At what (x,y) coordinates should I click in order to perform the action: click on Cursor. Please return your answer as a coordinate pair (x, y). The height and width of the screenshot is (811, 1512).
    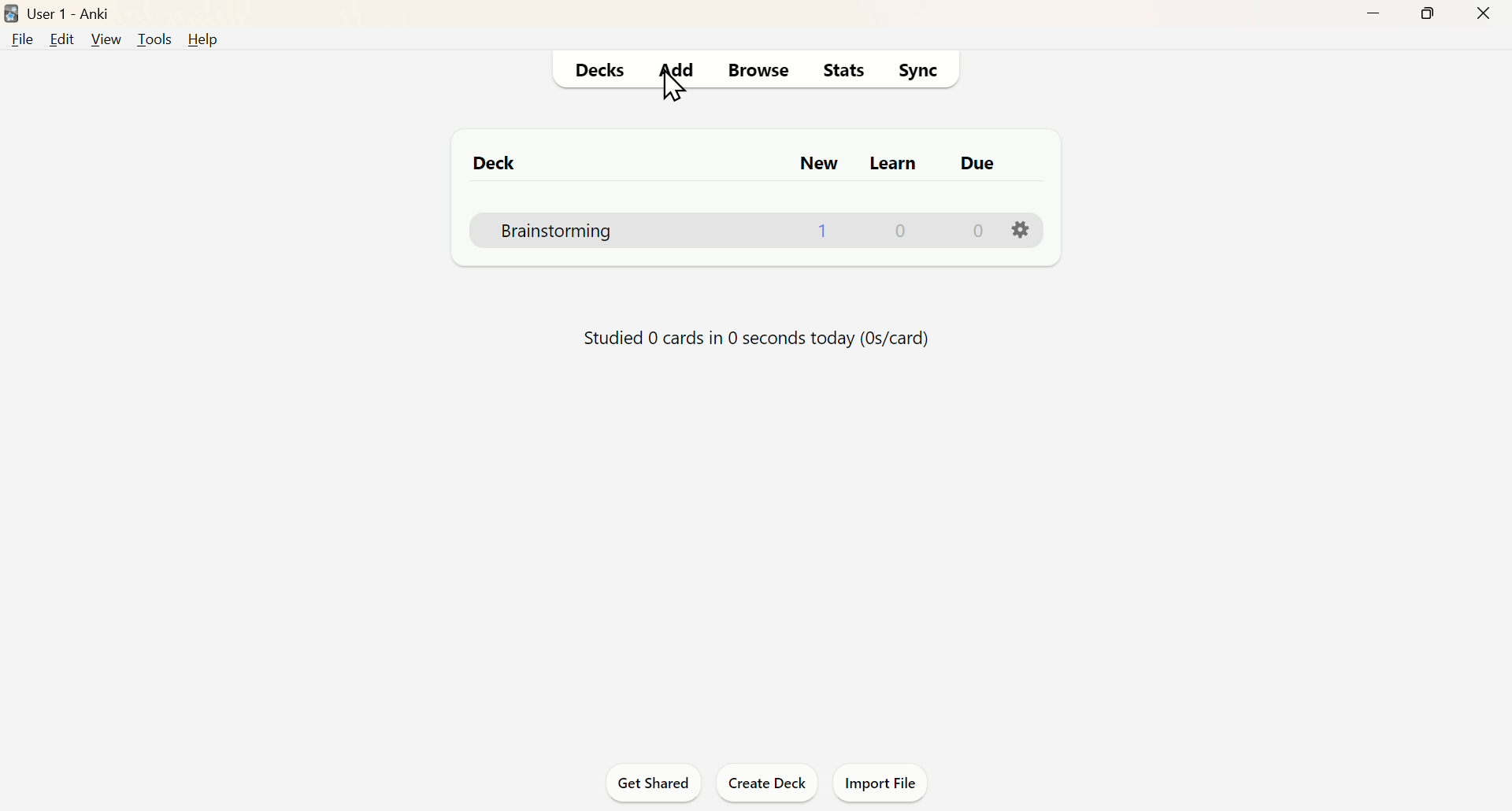
    Looking at the image, I should click on (681, 97).